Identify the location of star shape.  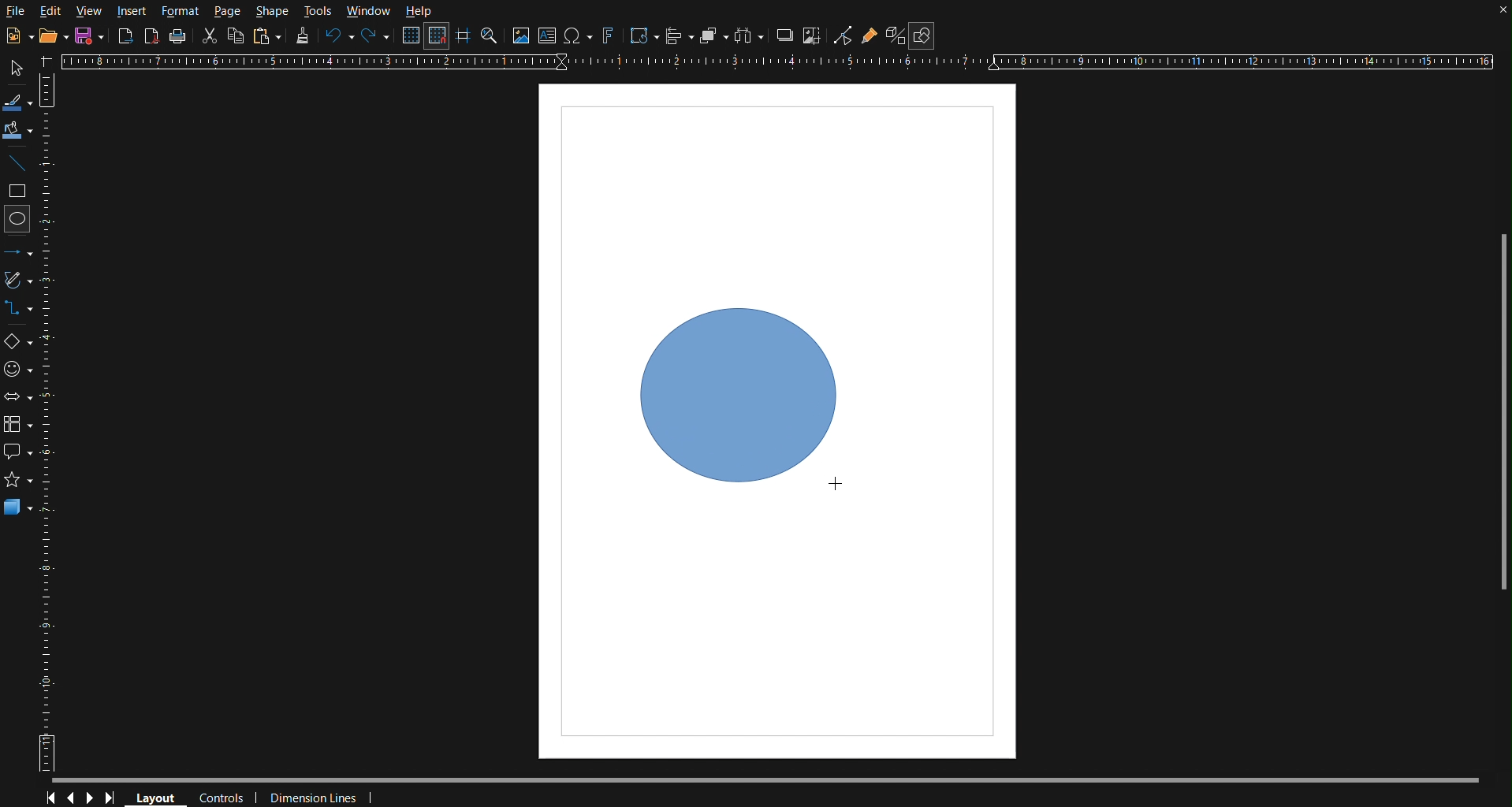
(20, 478).